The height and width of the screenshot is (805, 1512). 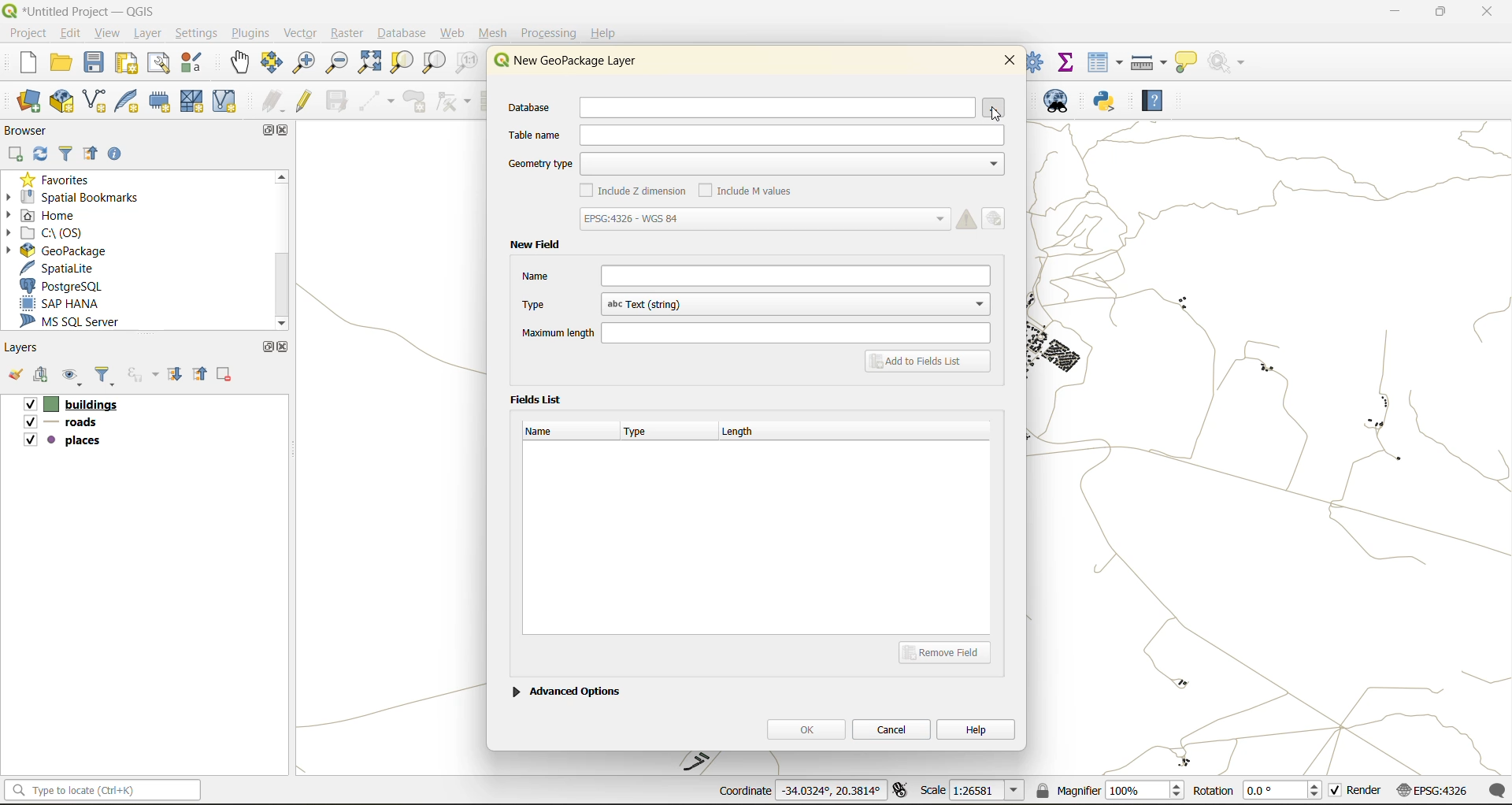 What do you see at coordinates (197, 33) in the screenshot?
I see `settings` at bounding box center [197, 33].